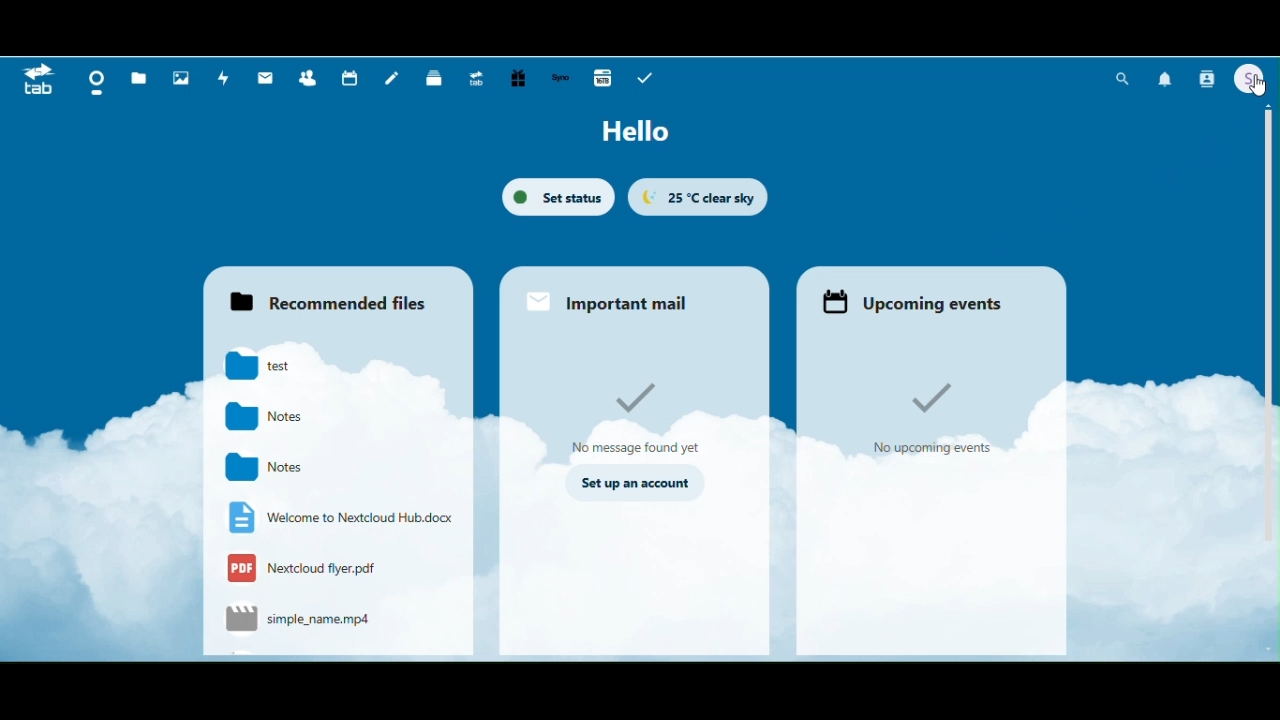 This screenshot has height=720, width=1280. What do you see at coordinates (634, 295) in the screenshot?
I see `Important mail` at bounding box center [634, 295].